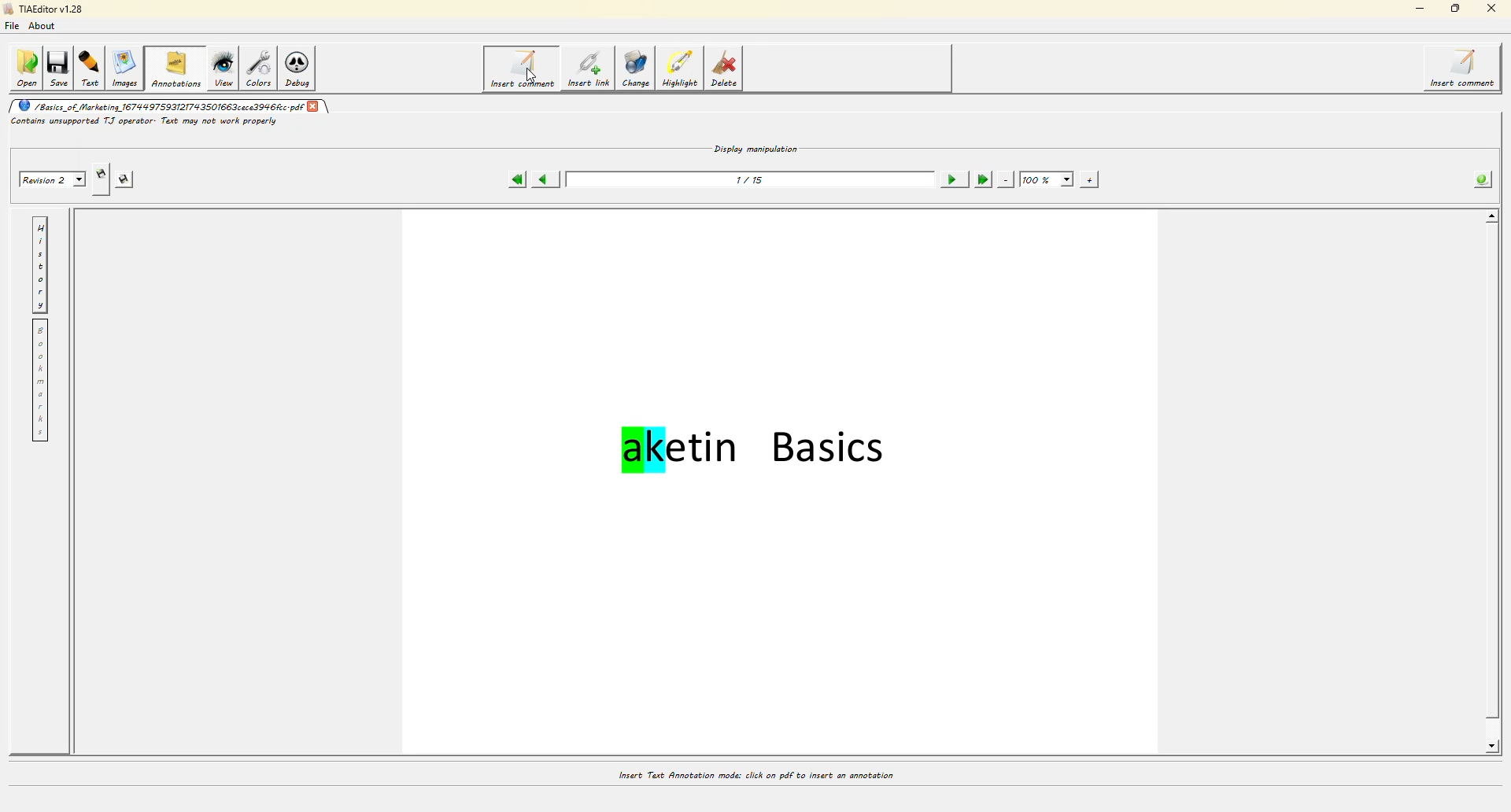 This screenshot has height=812, width=1511. What do you see at coordinates (50, 178) in the screenshot?
I see `Revision 2` at bounding box center [50, 178].